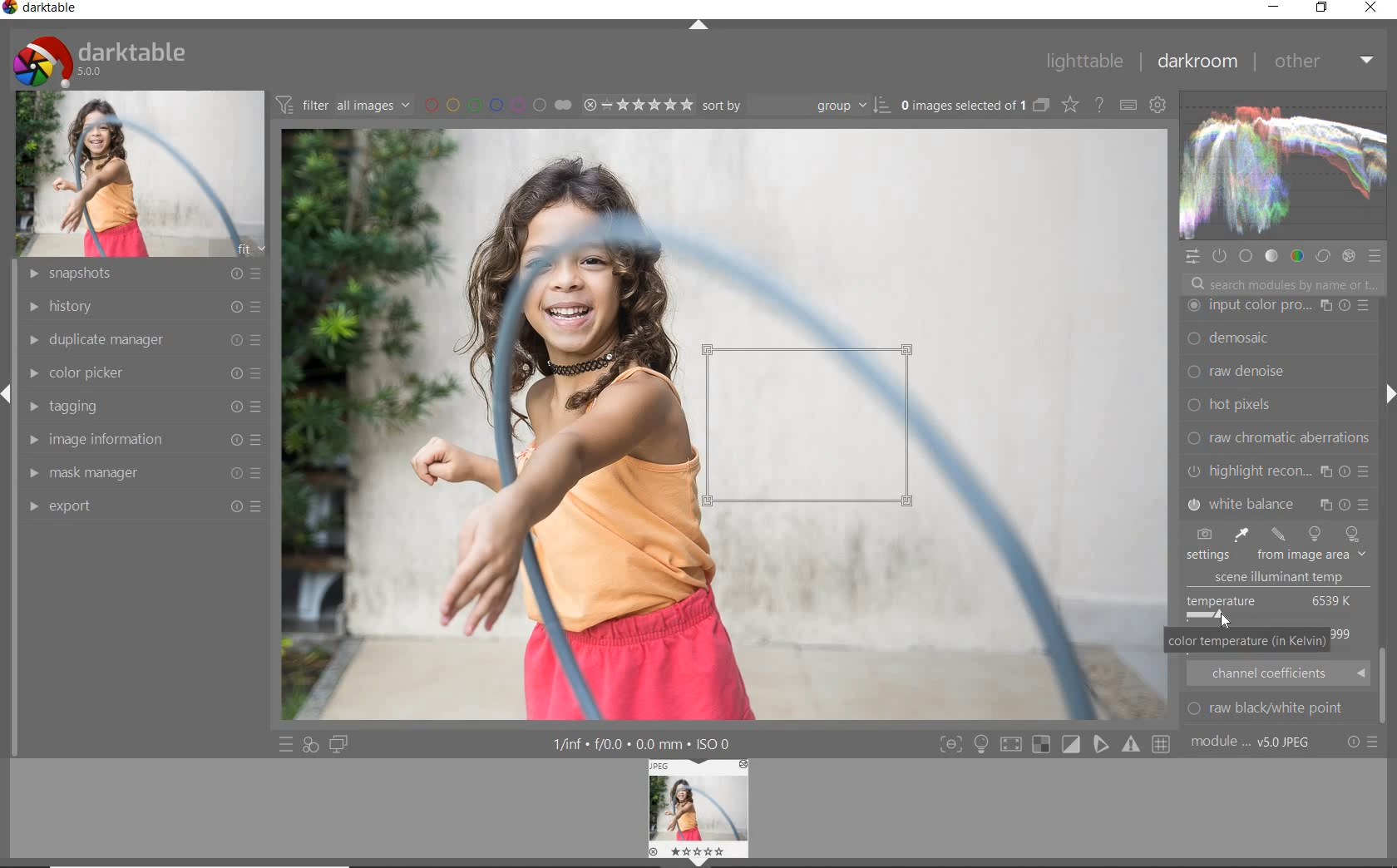 Image resolution: width=1397 pixels, height=868 pixels. I want to click on waveform, so click(1281, 165).